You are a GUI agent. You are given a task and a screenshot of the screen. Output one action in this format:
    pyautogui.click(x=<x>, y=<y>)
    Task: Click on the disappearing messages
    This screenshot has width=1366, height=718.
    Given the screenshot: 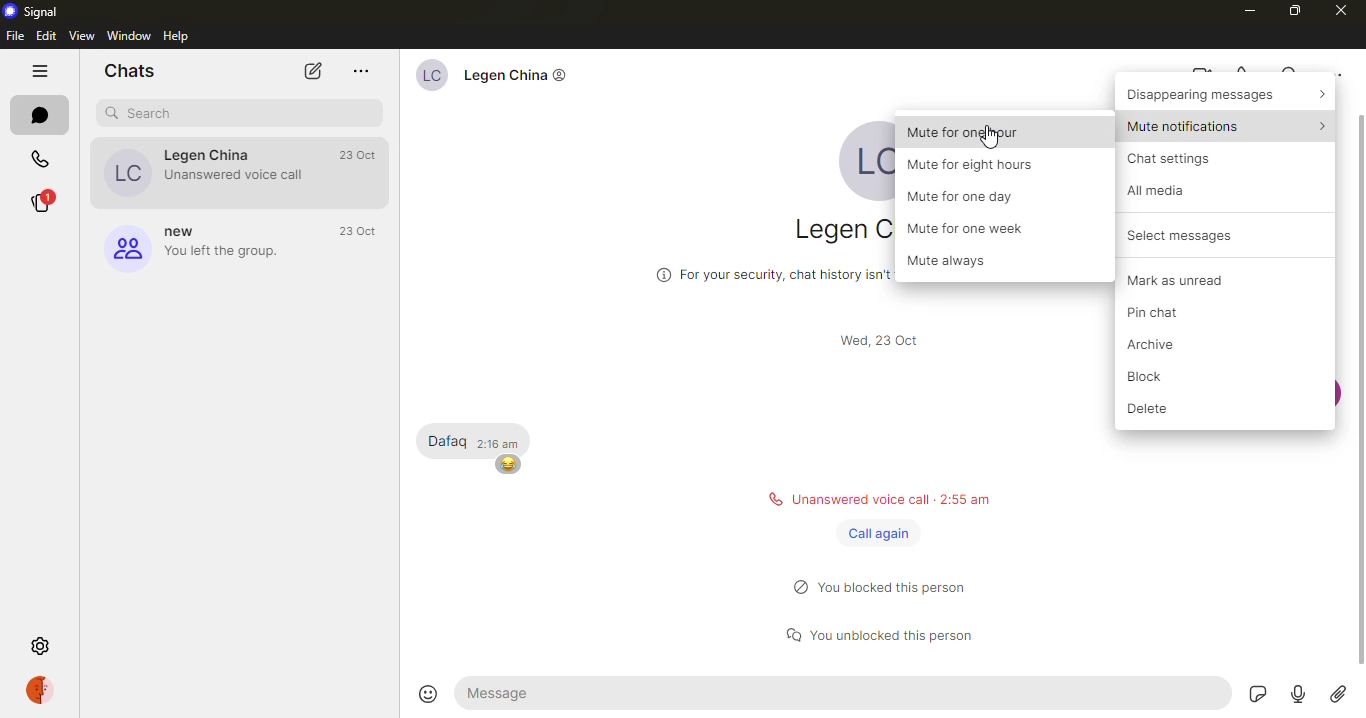 What is the action you would take?
    pyautogui.click(x=1227, y=92)
    